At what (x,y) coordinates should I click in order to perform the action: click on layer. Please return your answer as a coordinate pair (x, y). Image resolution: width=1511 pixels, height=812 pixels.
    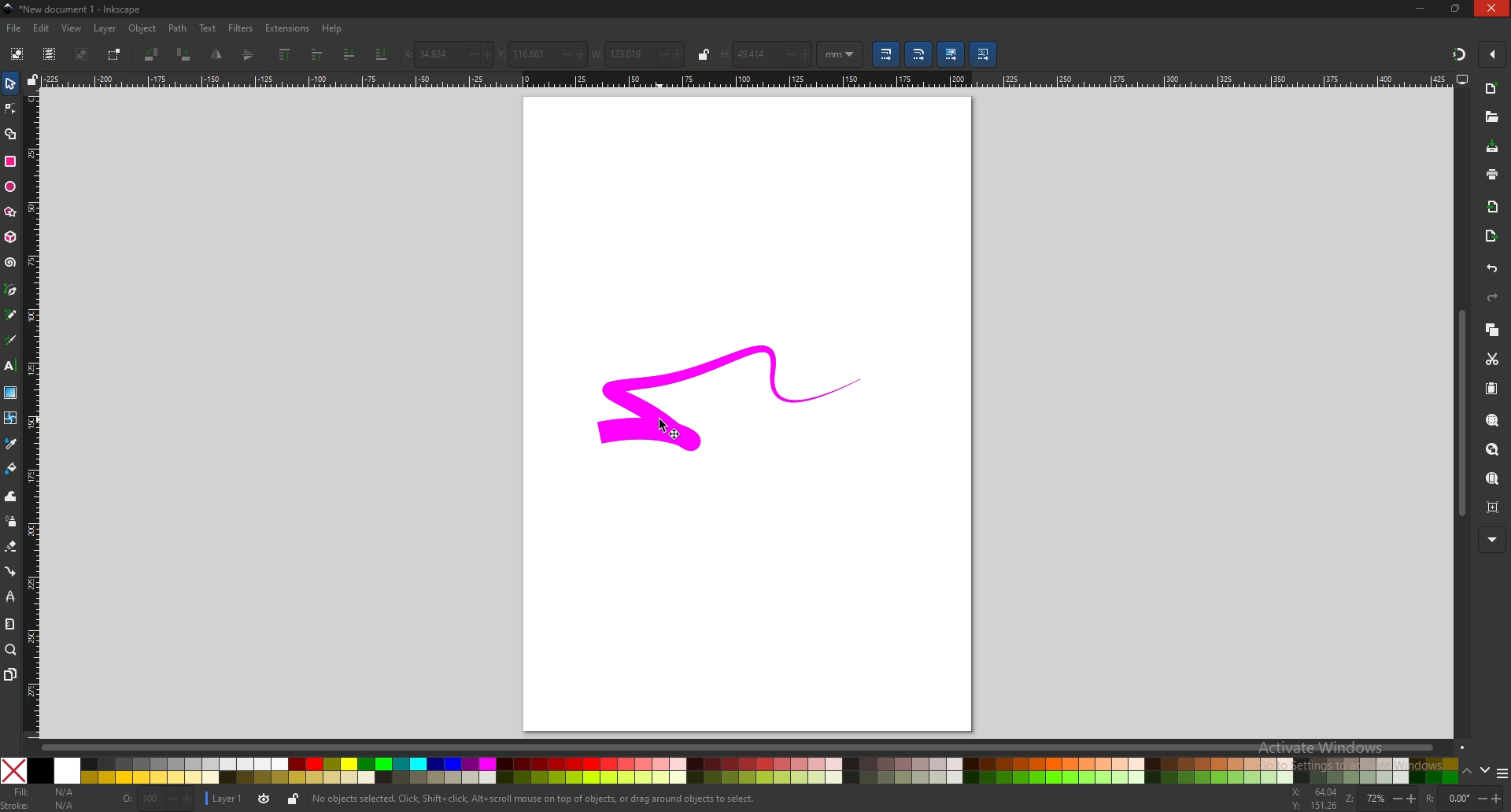
    Looking at the image, I should click on (224, 799).